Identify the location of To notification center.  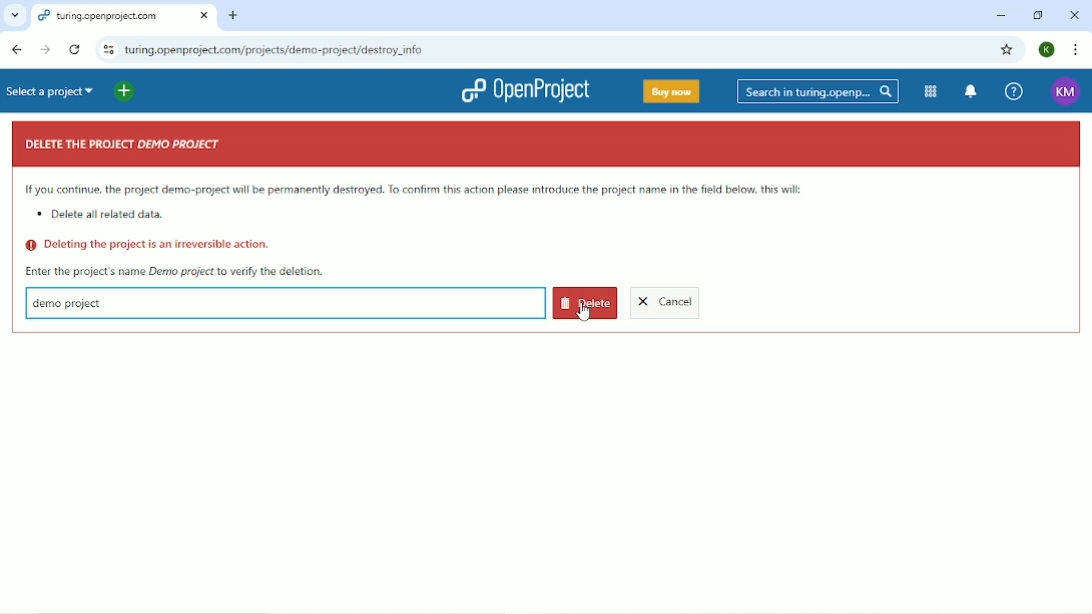
(971, 91).